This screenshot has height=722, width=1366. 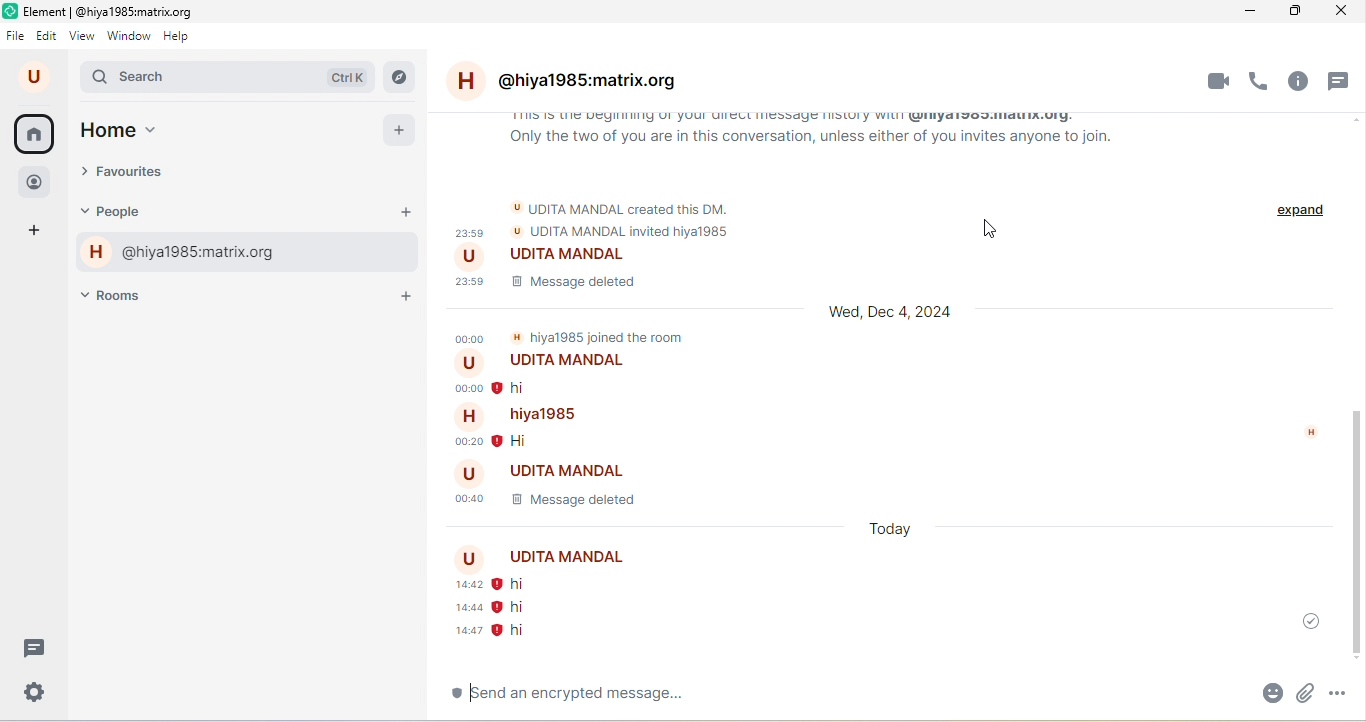 What do you see at coordinates (36, 647) in the screenshot?
I see `threads` at bounding box center [36, 647].